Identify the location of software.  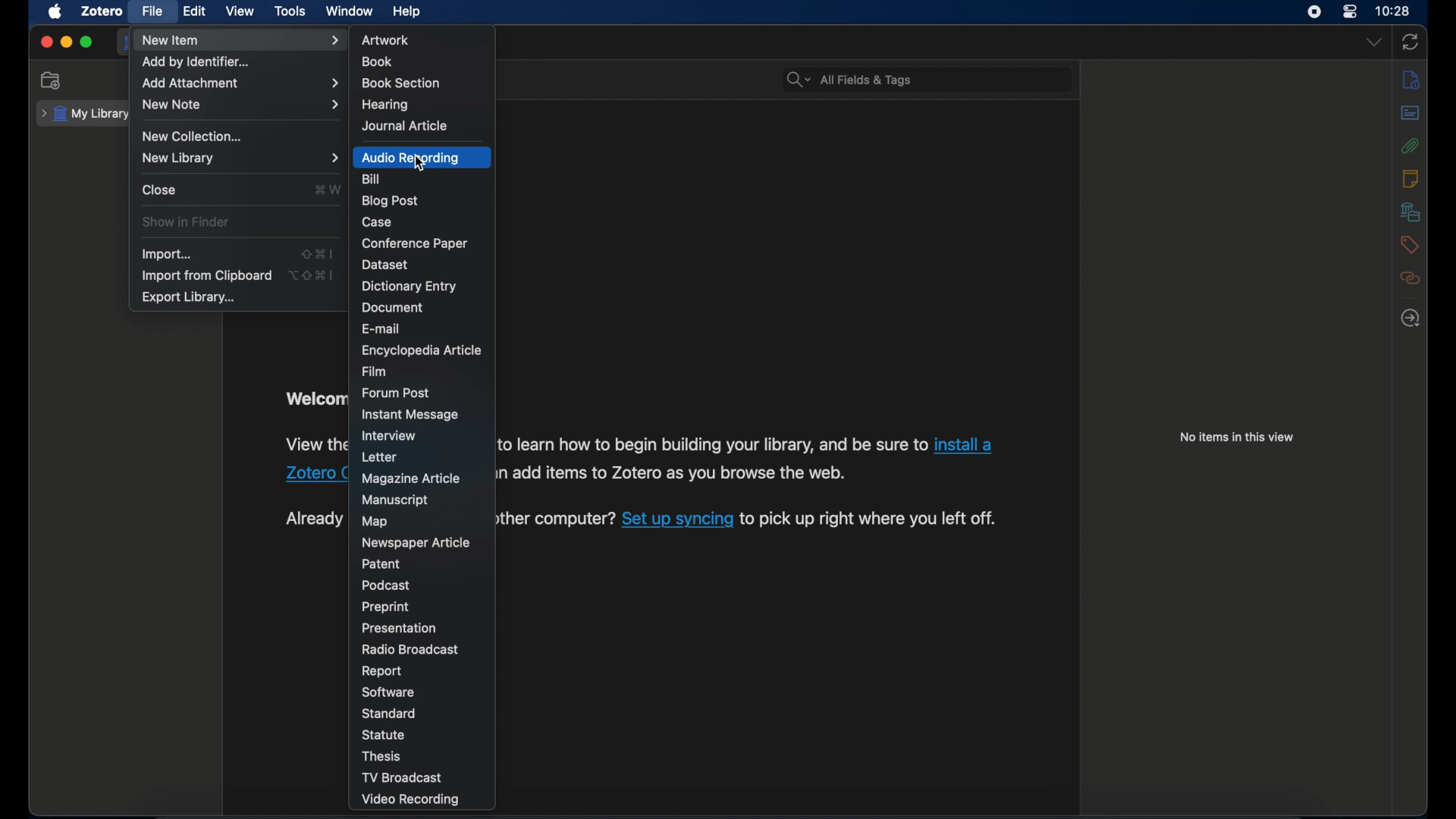
(387, 693).